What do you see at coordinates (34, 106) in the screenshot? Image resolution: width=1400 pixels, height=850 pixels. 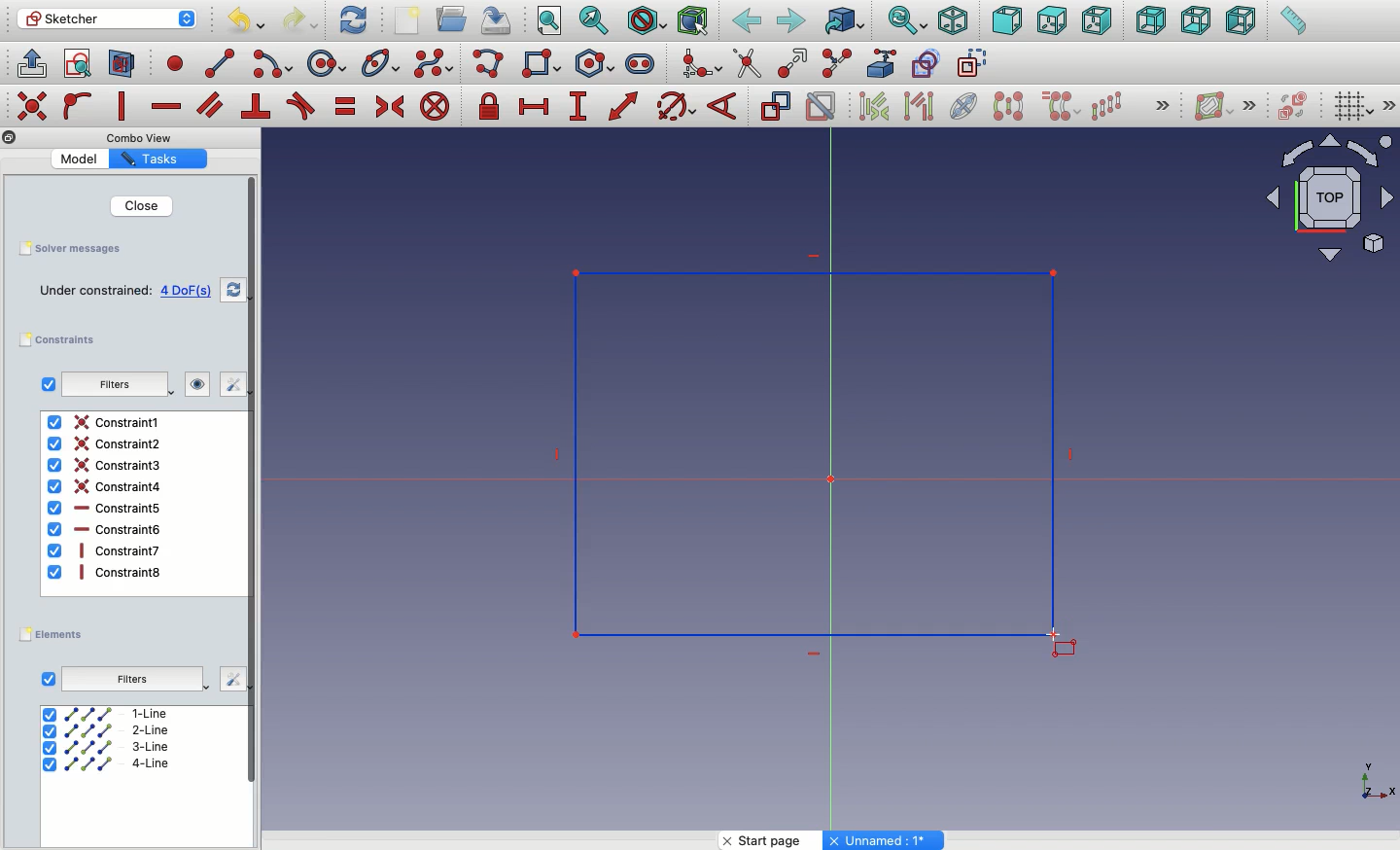 I see `constrain coincident` at bounding box center [34, 106].